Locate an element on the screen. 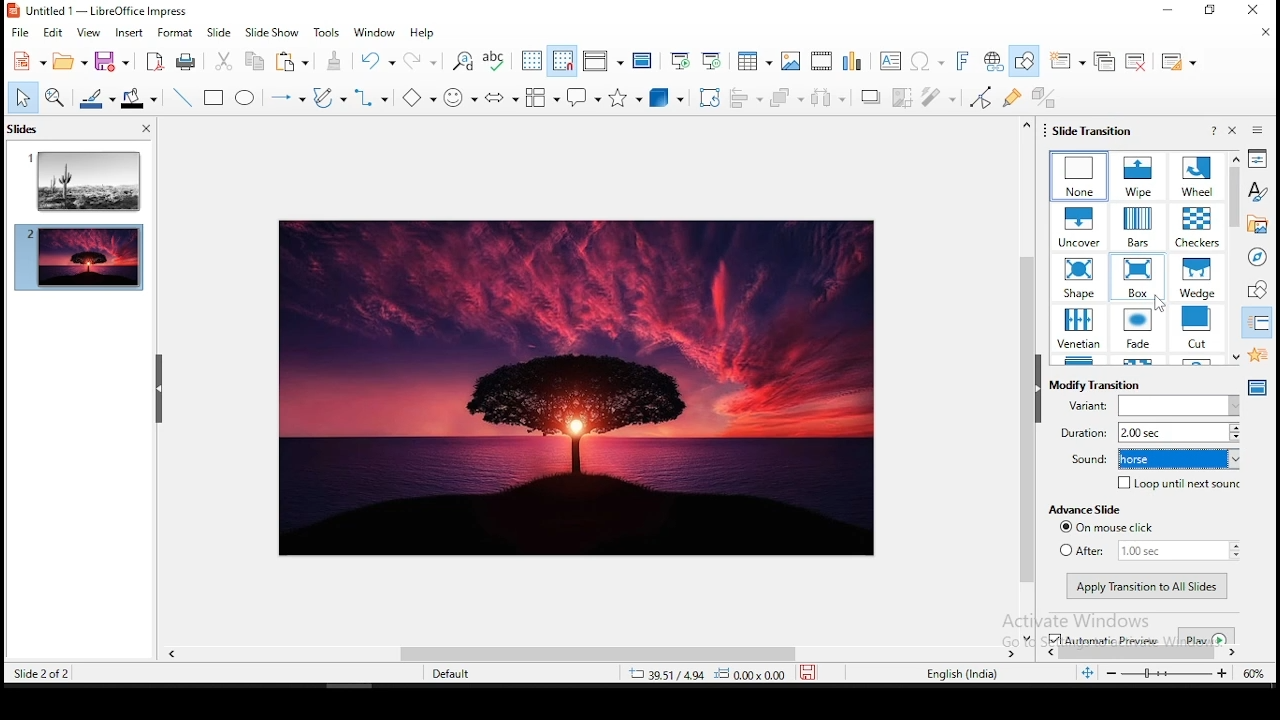 This screenshot has width=1280, height=720. Close is located at coordinates (1250, 12).